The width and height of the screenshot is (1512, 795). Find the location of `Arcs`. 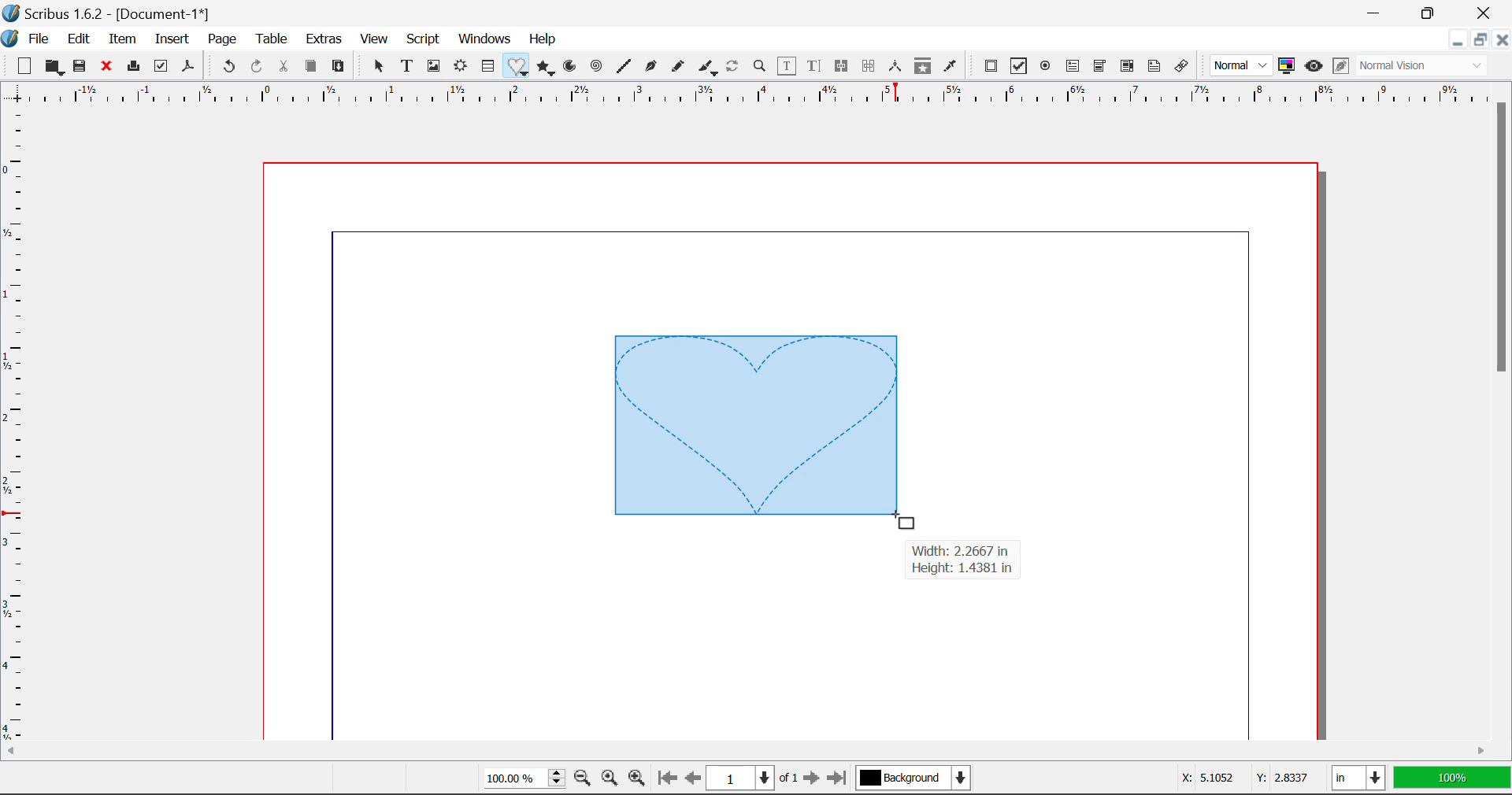

Arcs is located at coordinates (569, 66).